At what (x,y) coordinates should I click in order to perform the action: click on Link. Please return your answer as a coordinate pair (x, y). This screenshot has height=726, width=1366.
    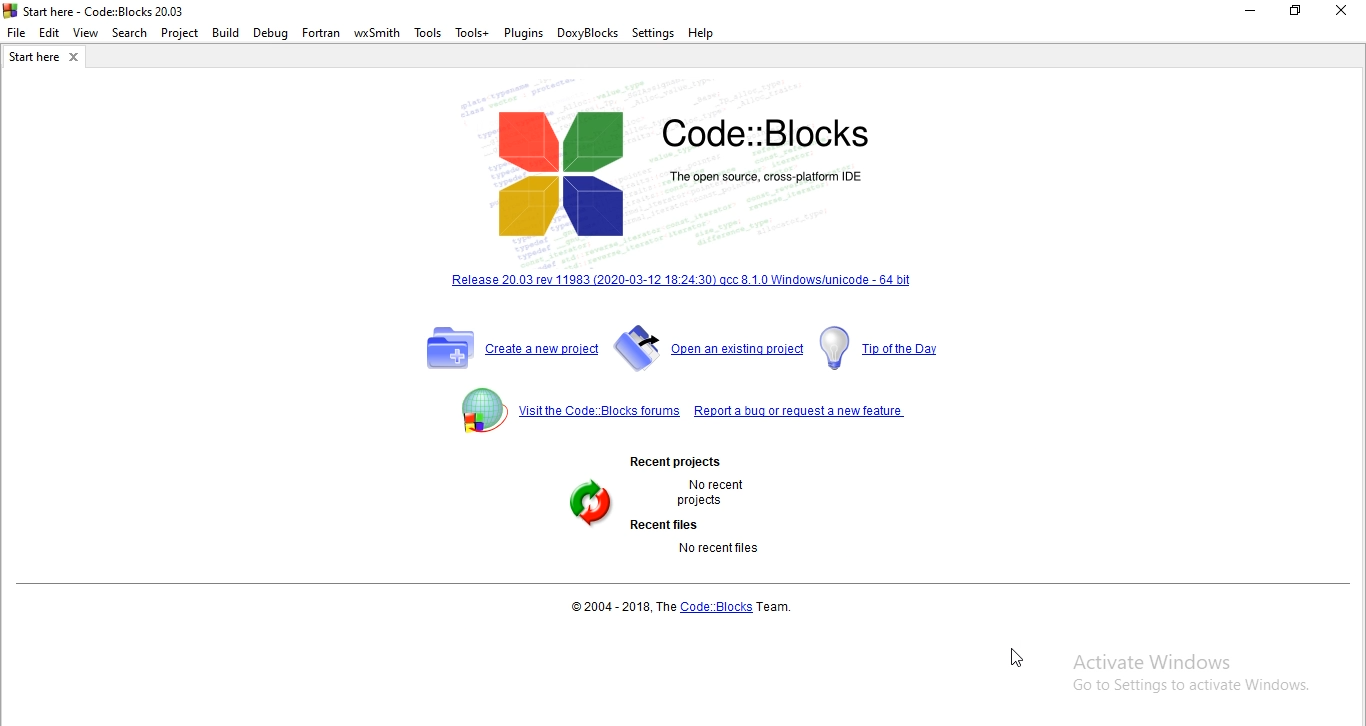
    Looking at the image, I should click on (906, 349).